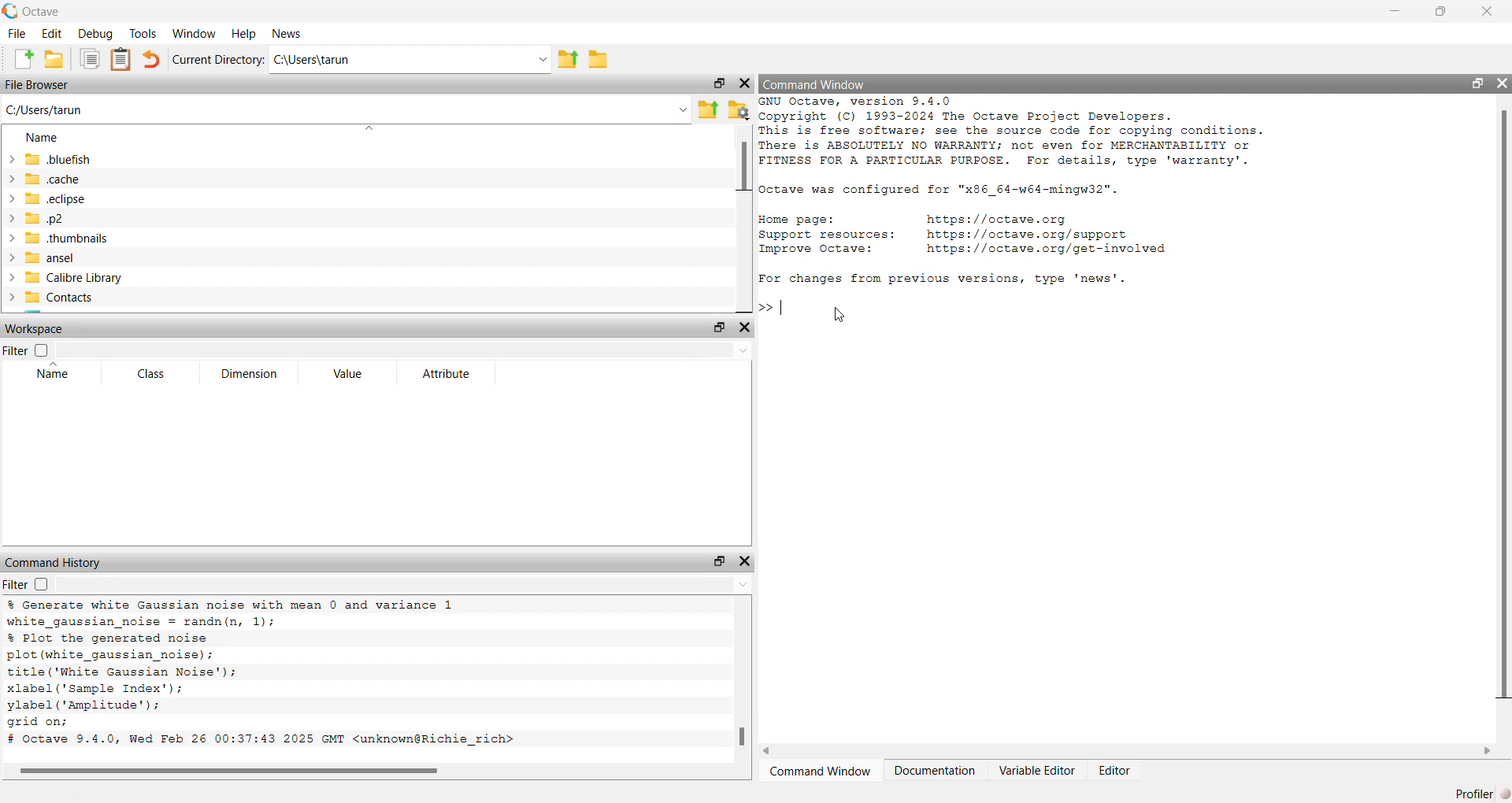  Describe the element at coordinates (358, 769) in the screenshot. I see `horizontal scroll bar` at that location.